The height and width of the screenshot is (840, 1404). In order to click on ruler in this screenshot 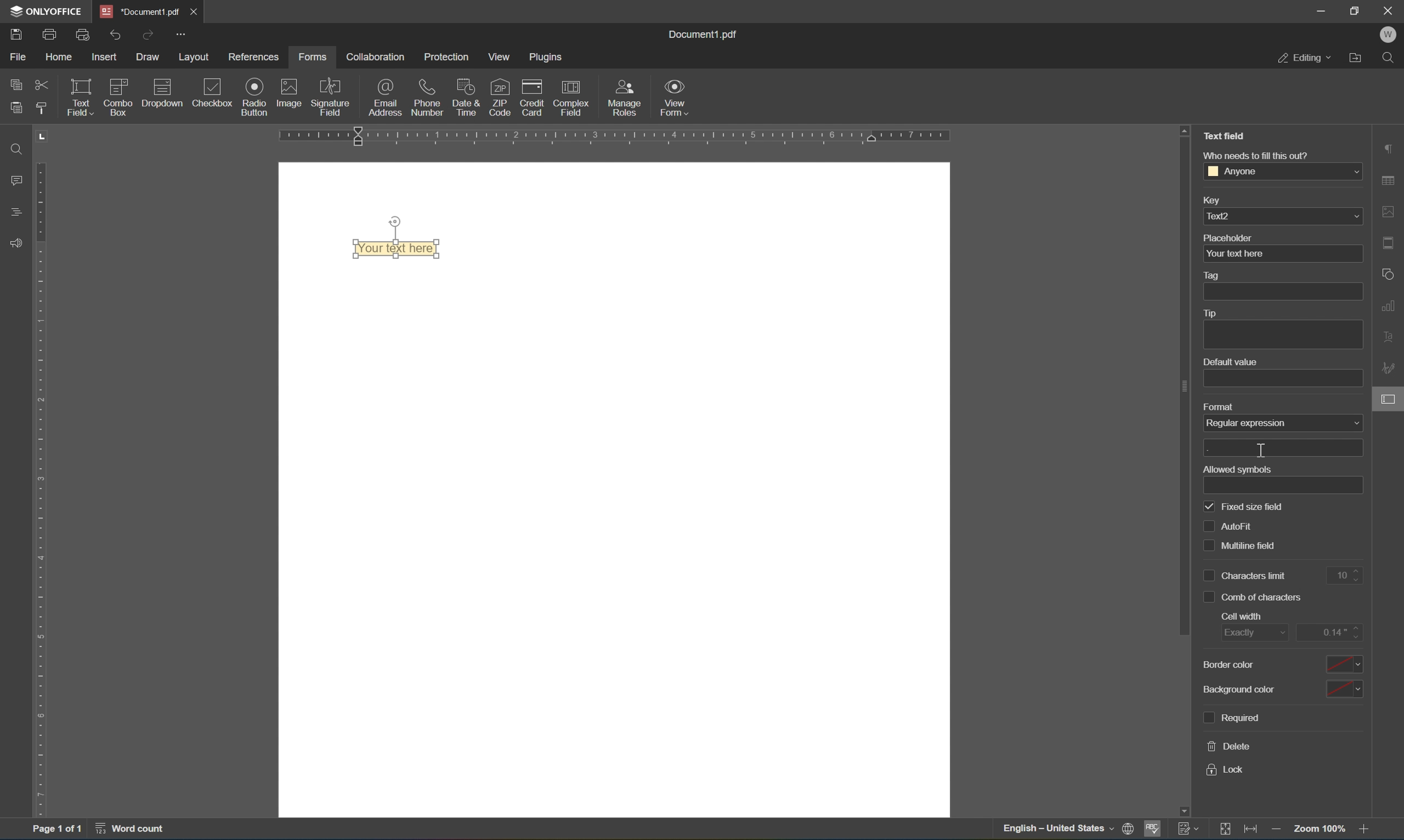, I will do `click(37, 490)`.